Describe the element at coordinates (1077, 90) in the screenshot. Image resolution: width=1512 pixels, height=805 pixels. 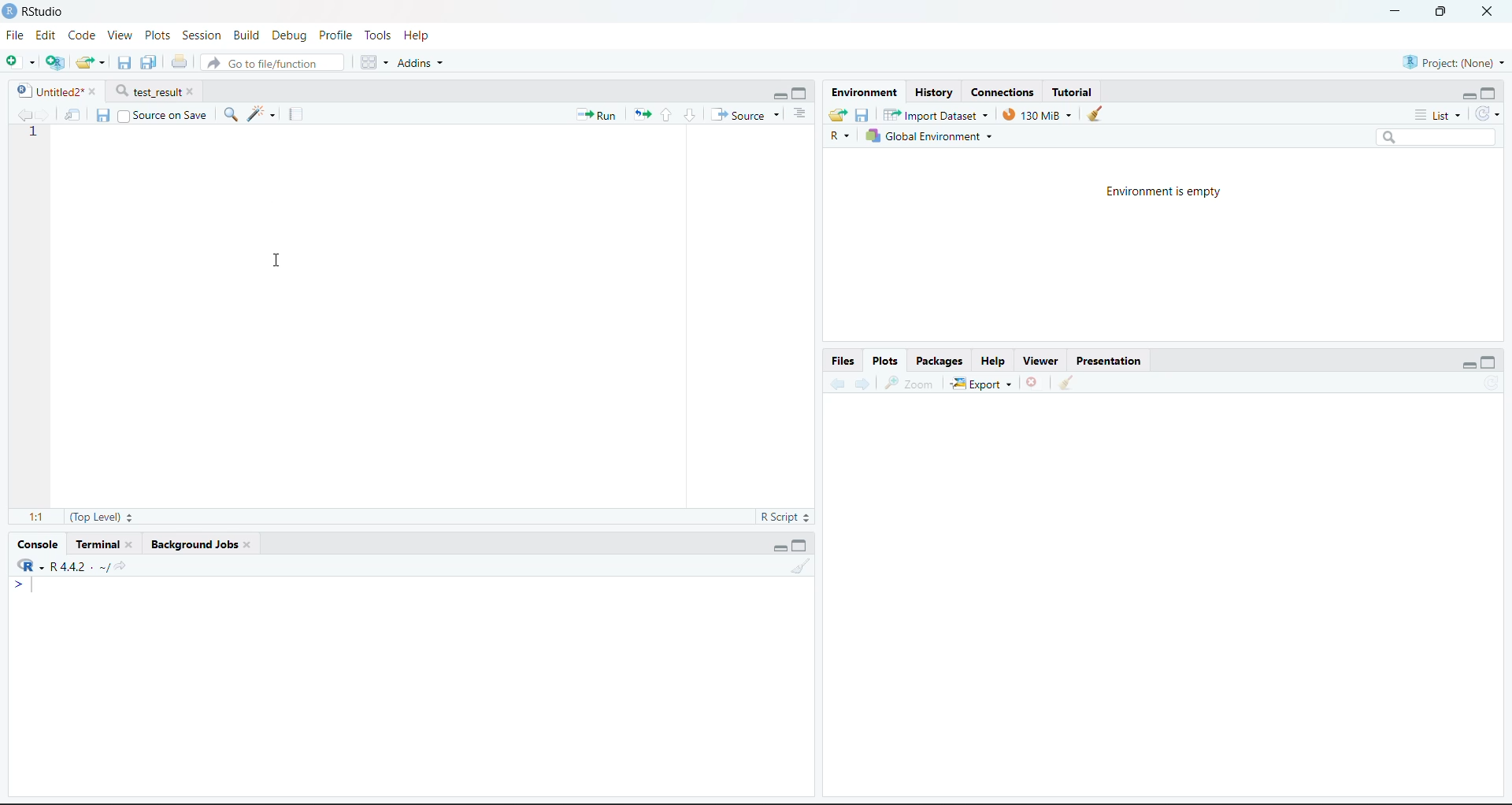
I see `Tutorial` at that location.